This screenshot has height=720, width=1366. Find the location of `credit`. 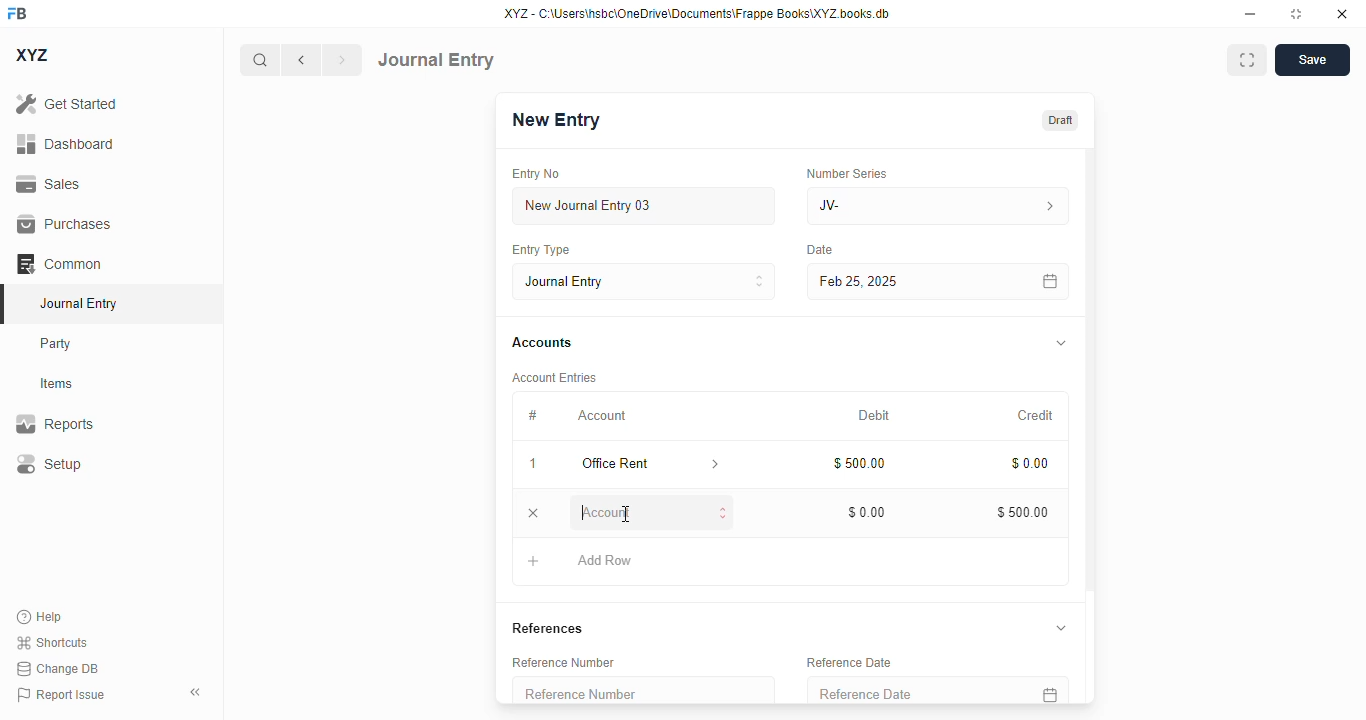

credit is located at coordinates (1037, 416).